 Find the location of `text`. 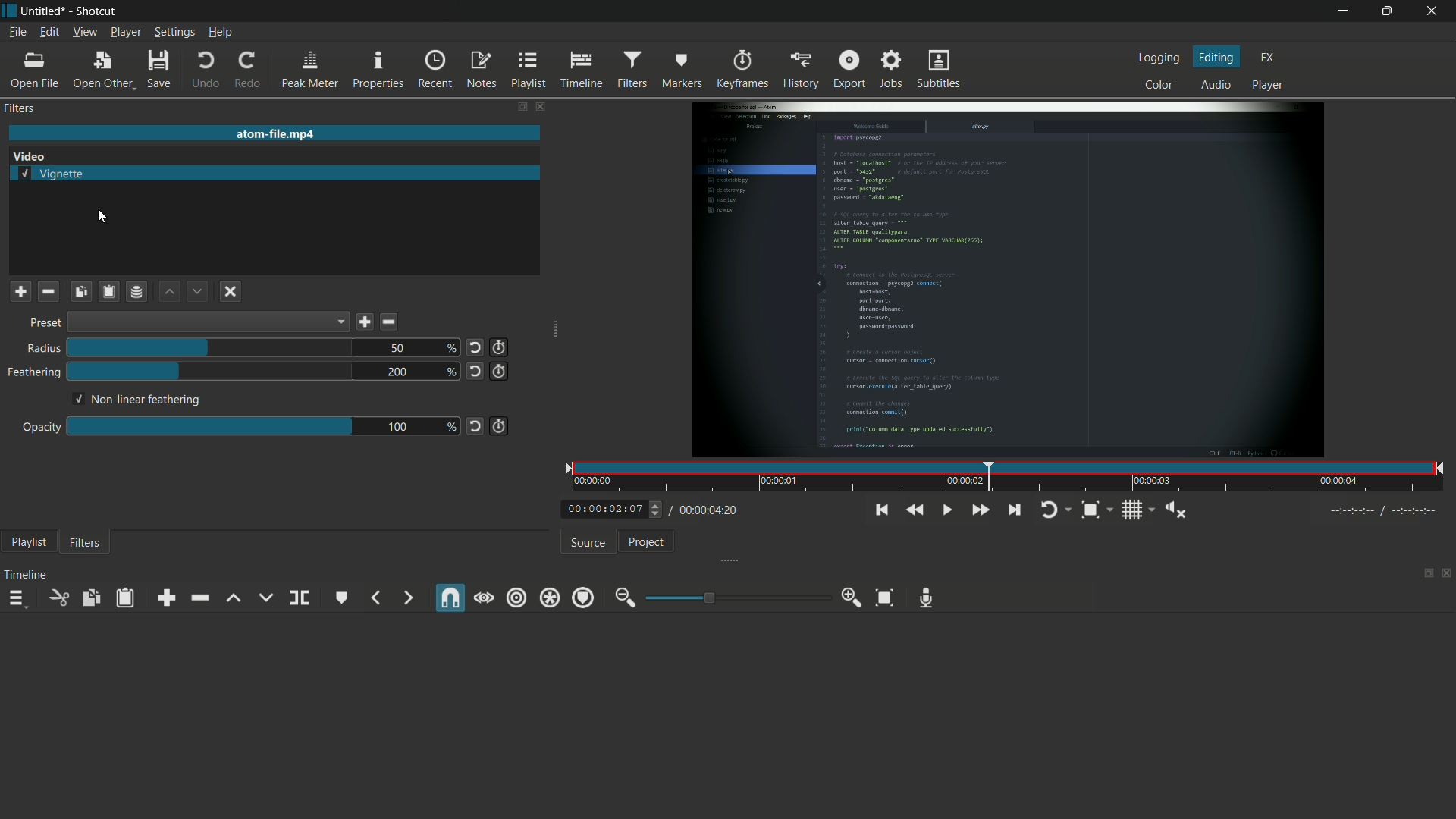

text is located at coordinates (138, 401).